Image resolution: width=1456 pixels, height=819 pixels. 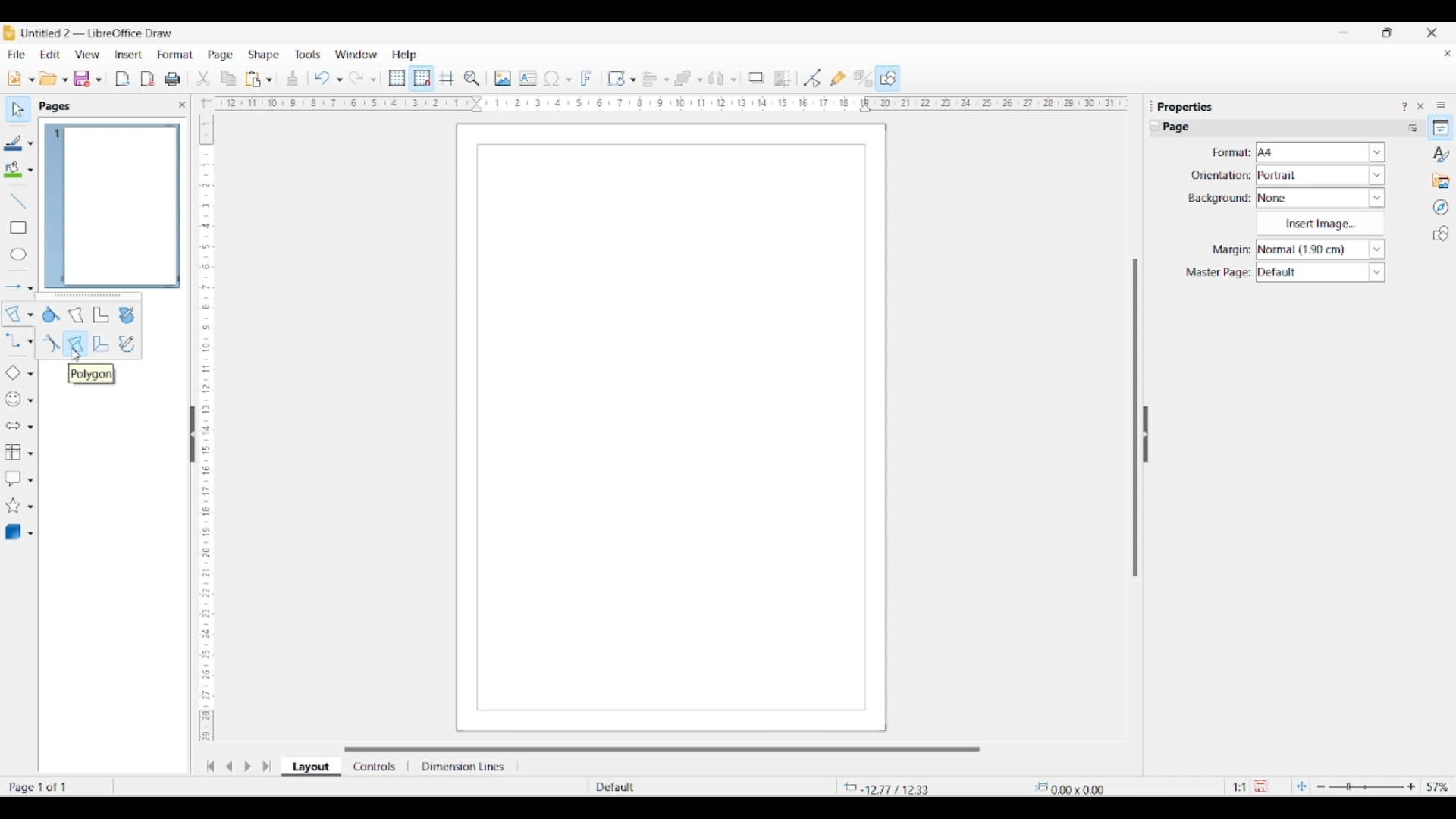 What do you see at coordinates (14, 400) in the screenshot?
I see `Selected symbol` at bounding box center [14, 400].